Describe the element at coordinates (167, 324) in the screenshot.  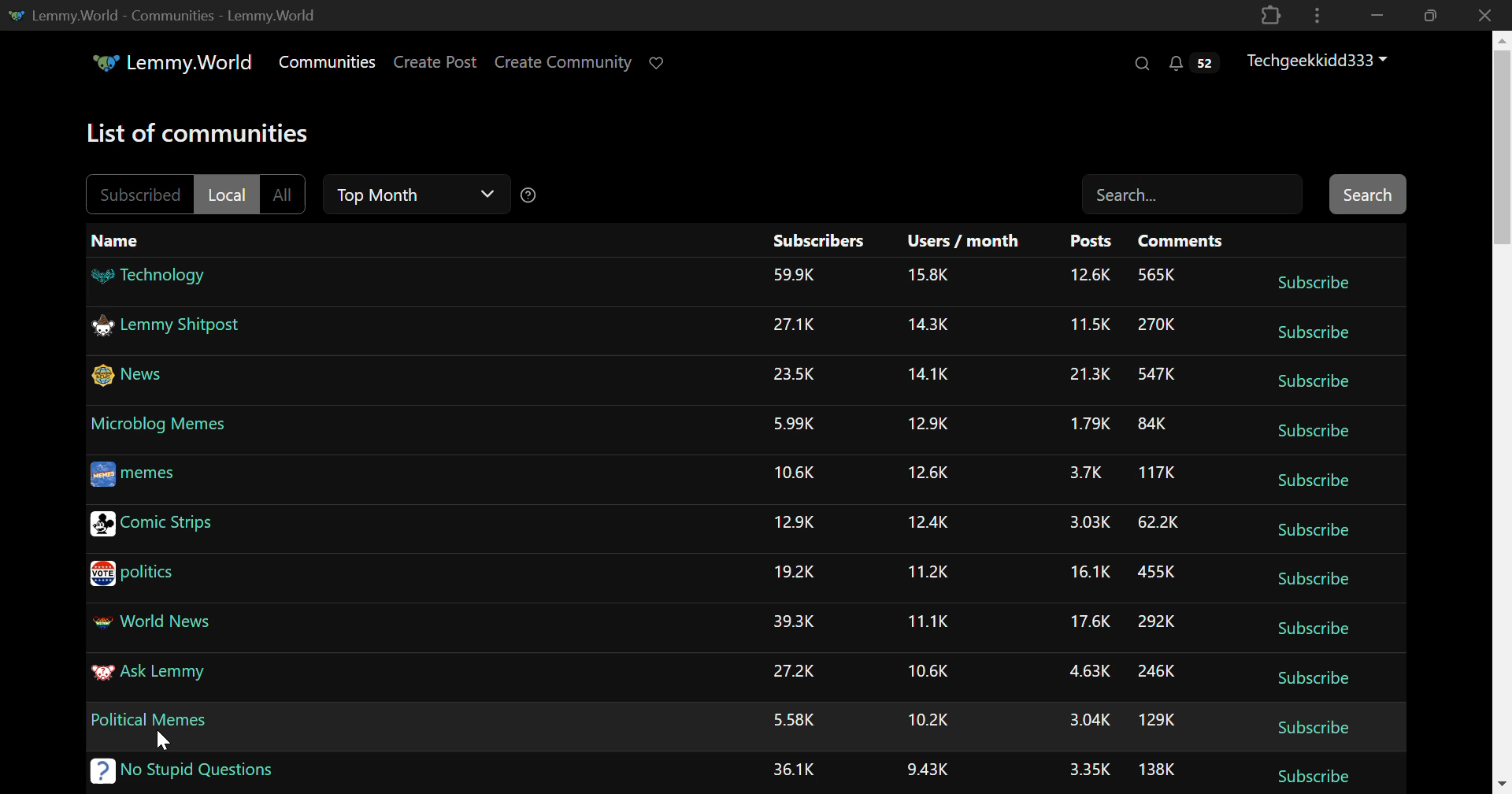
I see `Lemmy Shitpost` at that location.